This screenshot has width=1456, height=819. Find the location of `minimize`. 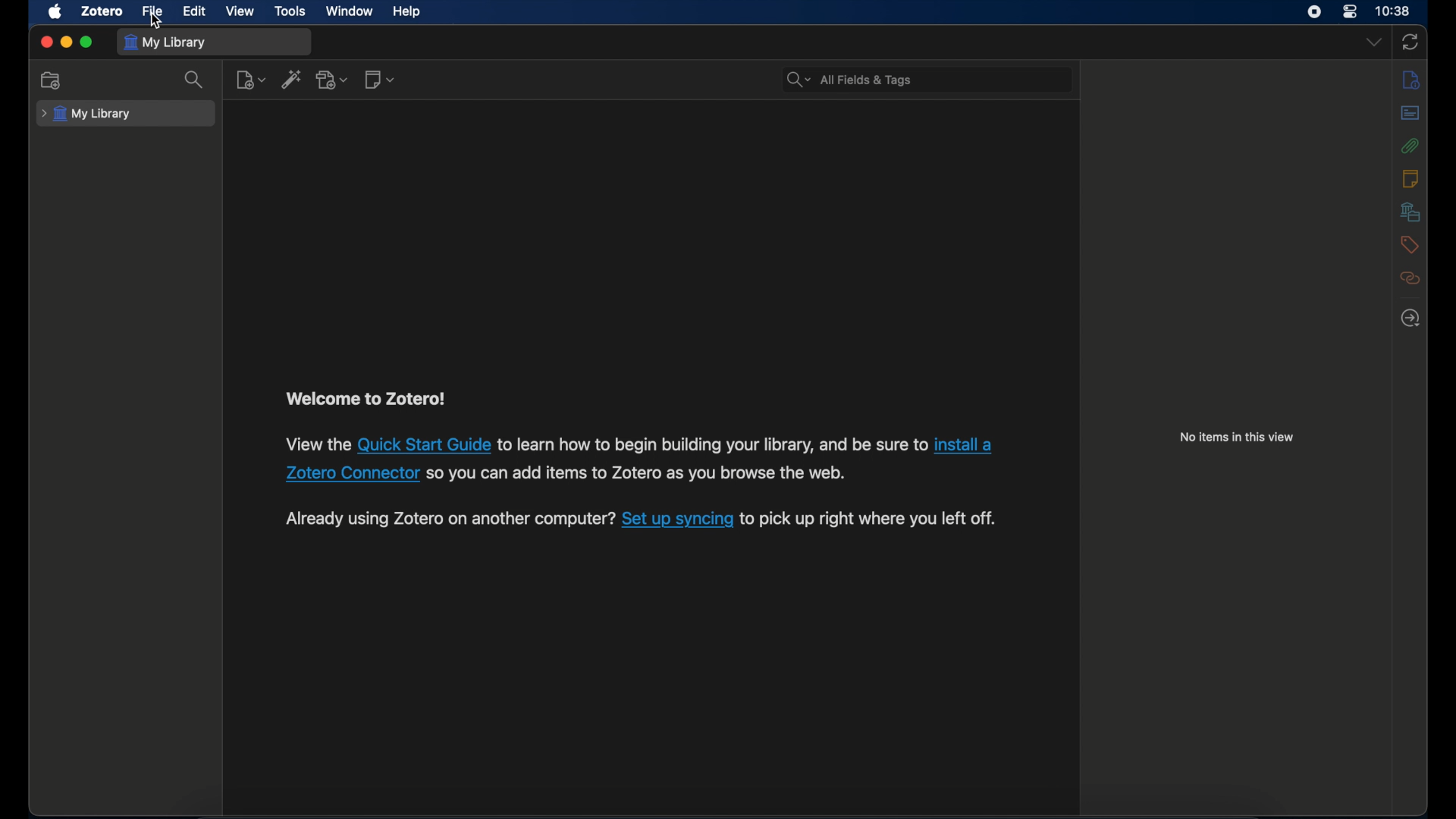

minimize is located at coordinates (65, 42).